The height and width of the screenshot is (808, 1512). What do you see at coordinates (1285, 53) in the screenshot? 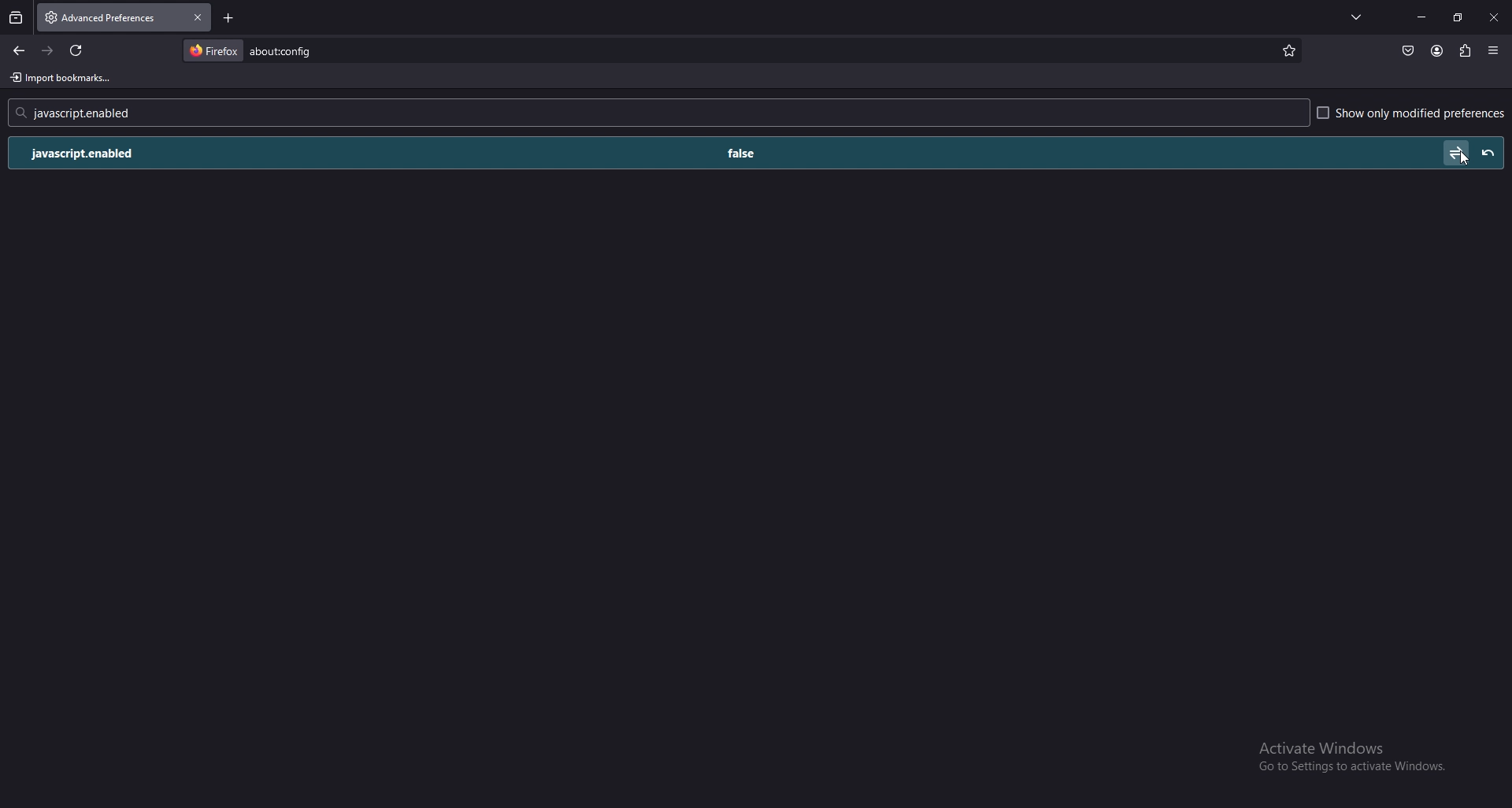
I see `mark as favorite` at bounding box center [1285, 53].